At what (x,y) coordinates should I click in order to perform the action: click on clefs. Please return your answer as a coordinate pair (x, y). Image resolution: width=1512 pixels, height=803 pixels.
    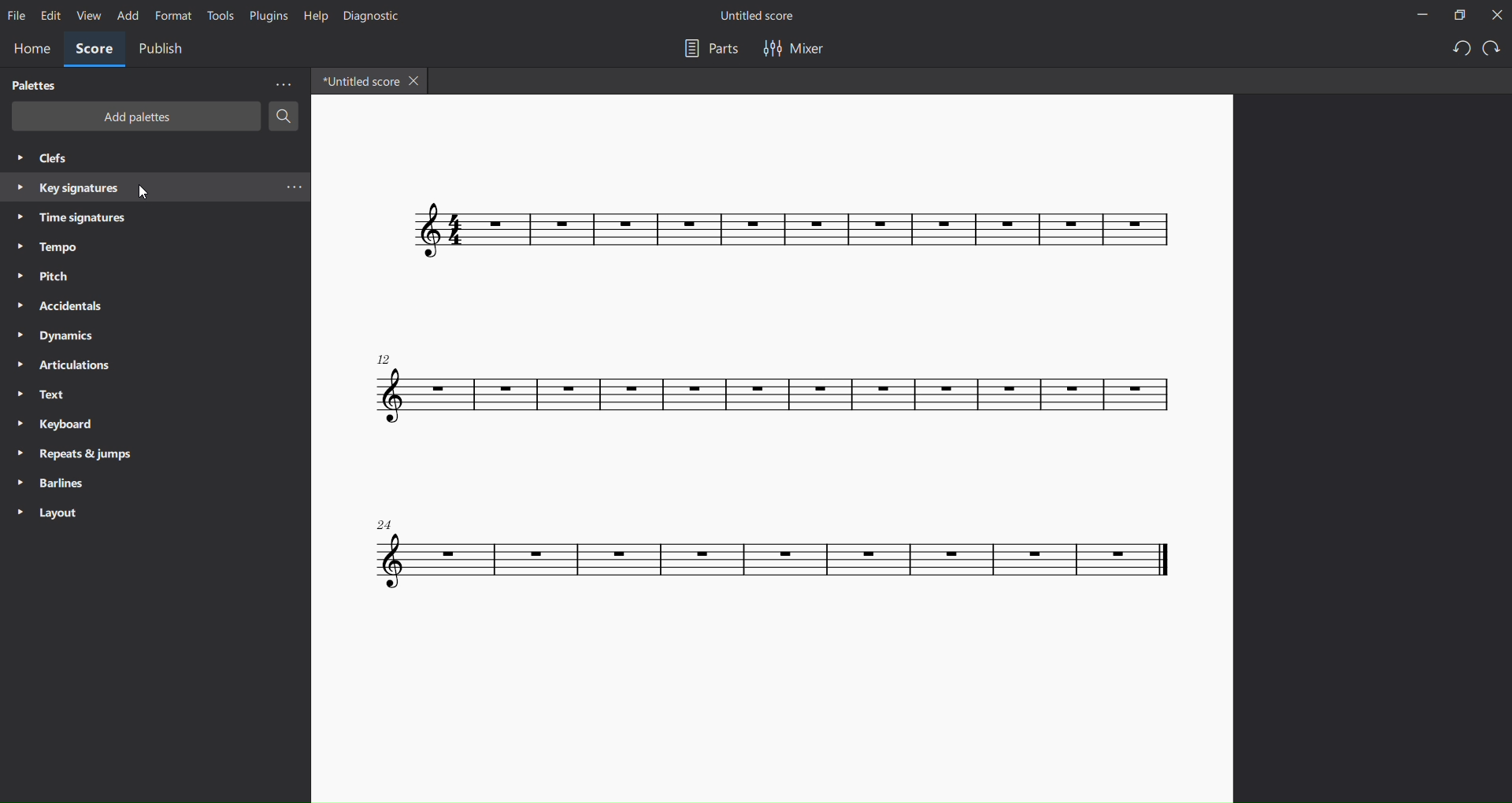
    Looking at the image, I should click on (46, 157).